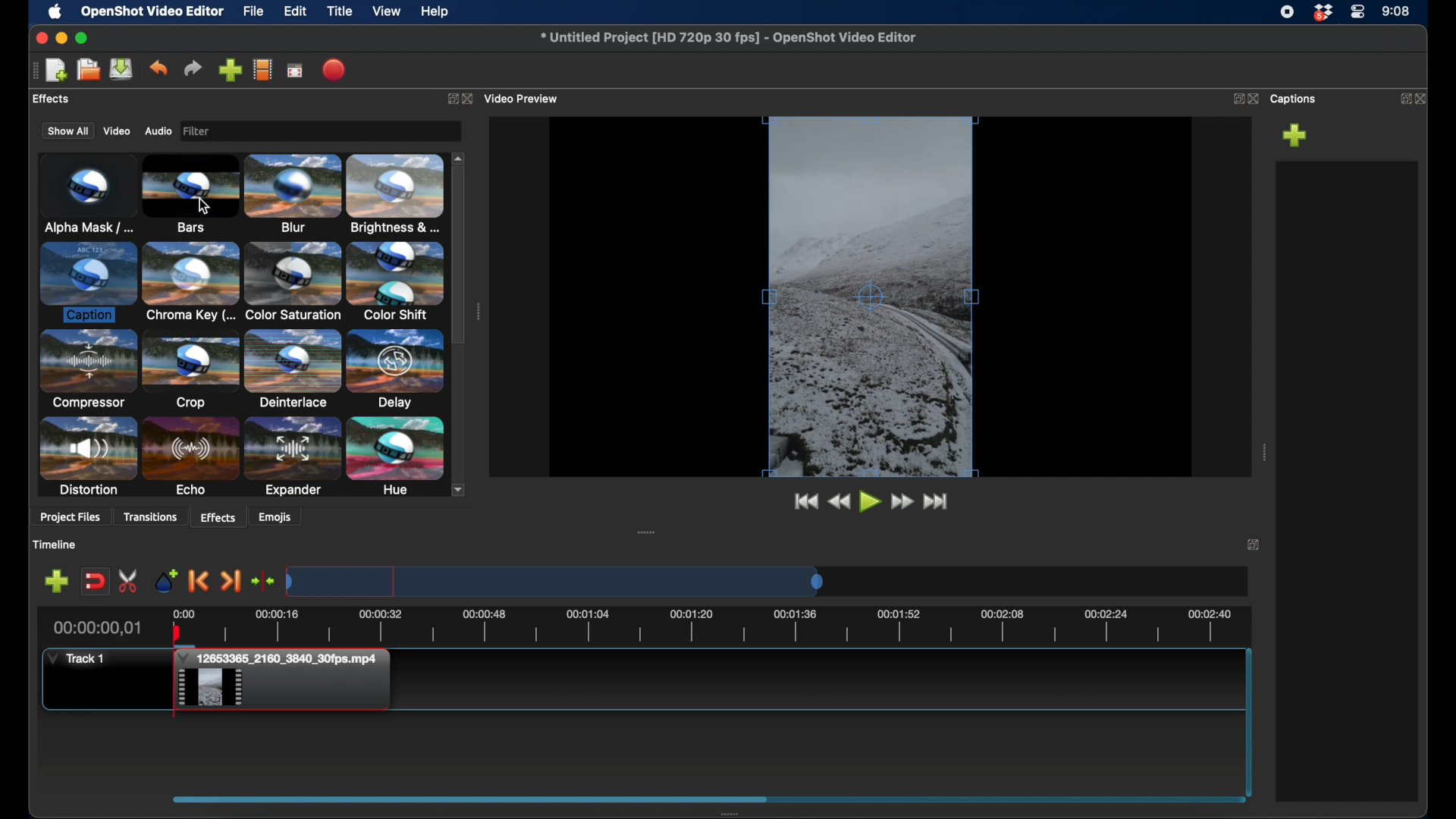 The image size is (1456, 819). What do you see at coordinates (96, 629) in the screenshot?
I see `current time indicator` at bounding box center [96, 629].